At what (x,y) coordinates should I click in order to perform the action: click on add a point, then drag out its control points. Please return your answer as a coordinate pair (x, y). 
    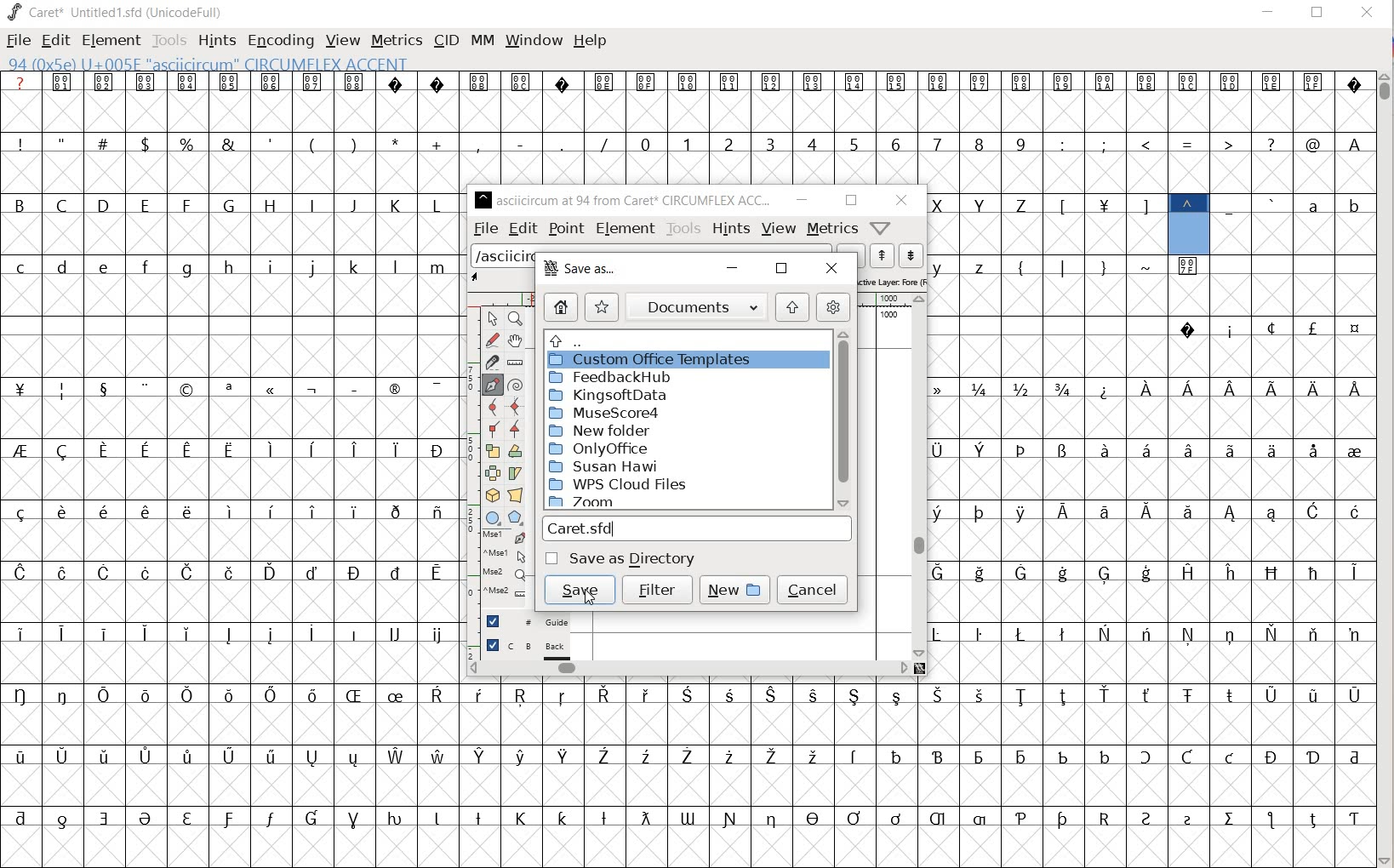
    Looking at the image, I should click on (491, 384).